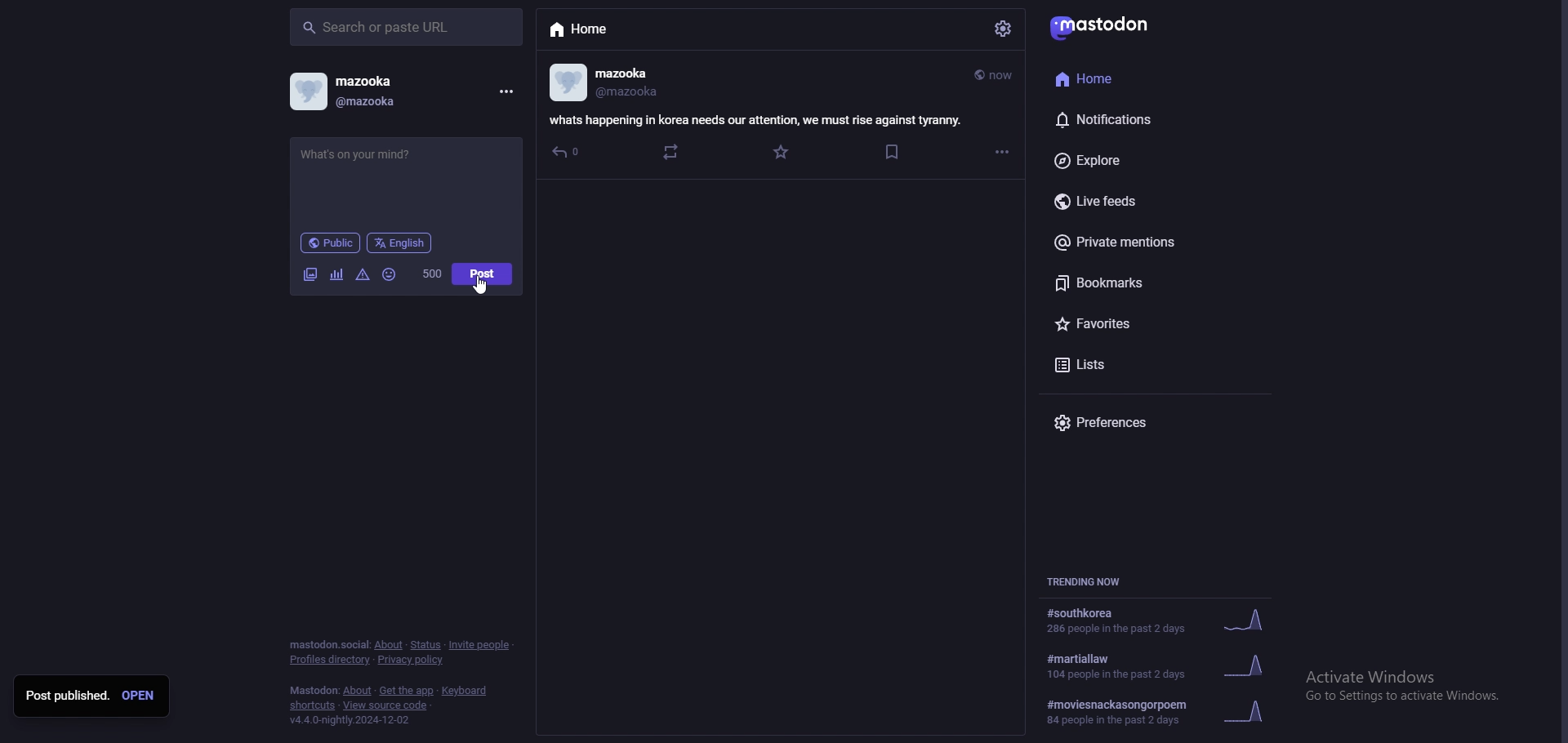  What do you see at coordinates (337, 275) in the screenshot?
I see `polls` at bounding box center [337, 275].